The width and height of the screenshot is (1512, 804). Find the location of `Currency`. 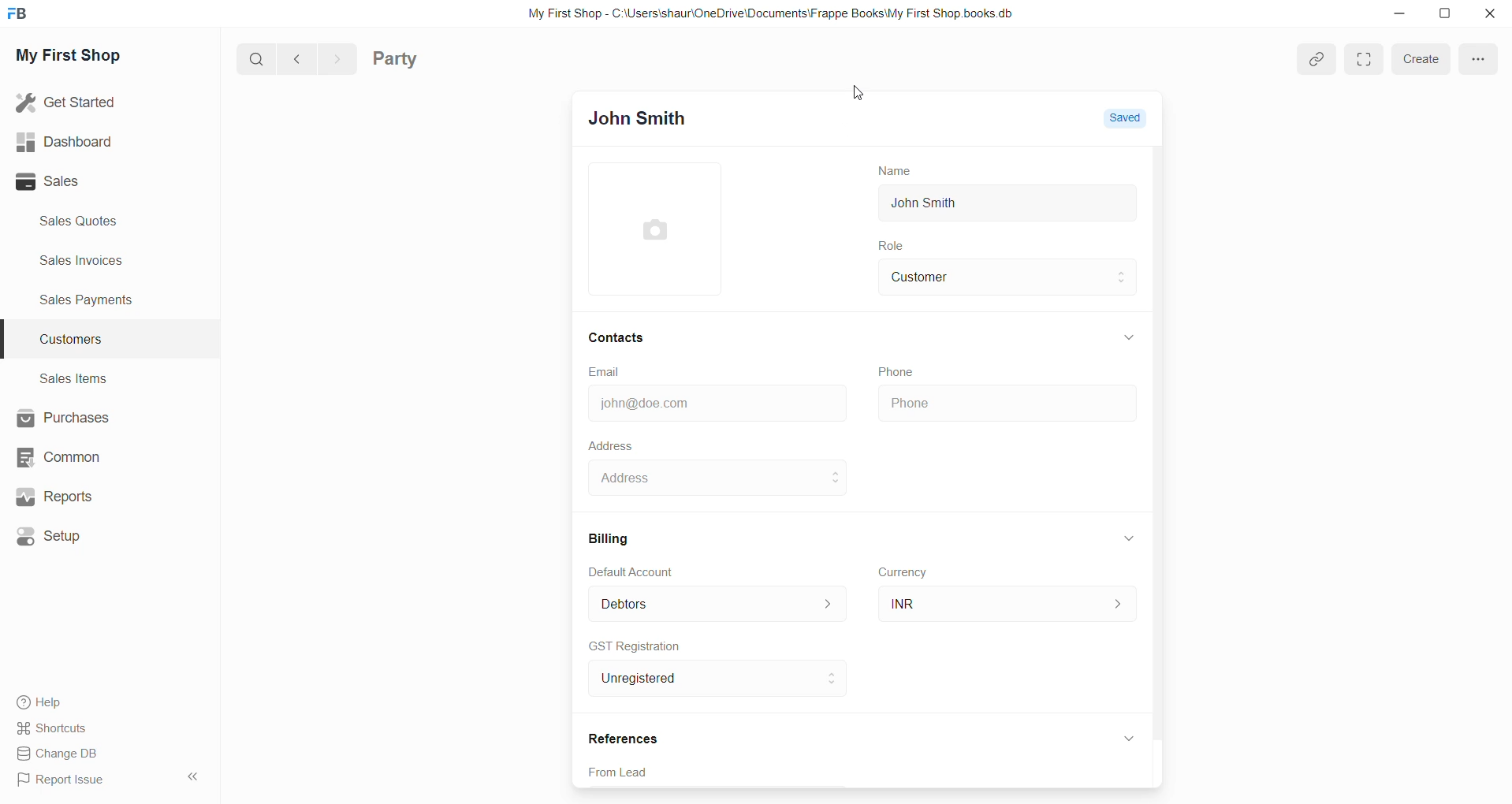

Currency is located at coordinates (907, 574).